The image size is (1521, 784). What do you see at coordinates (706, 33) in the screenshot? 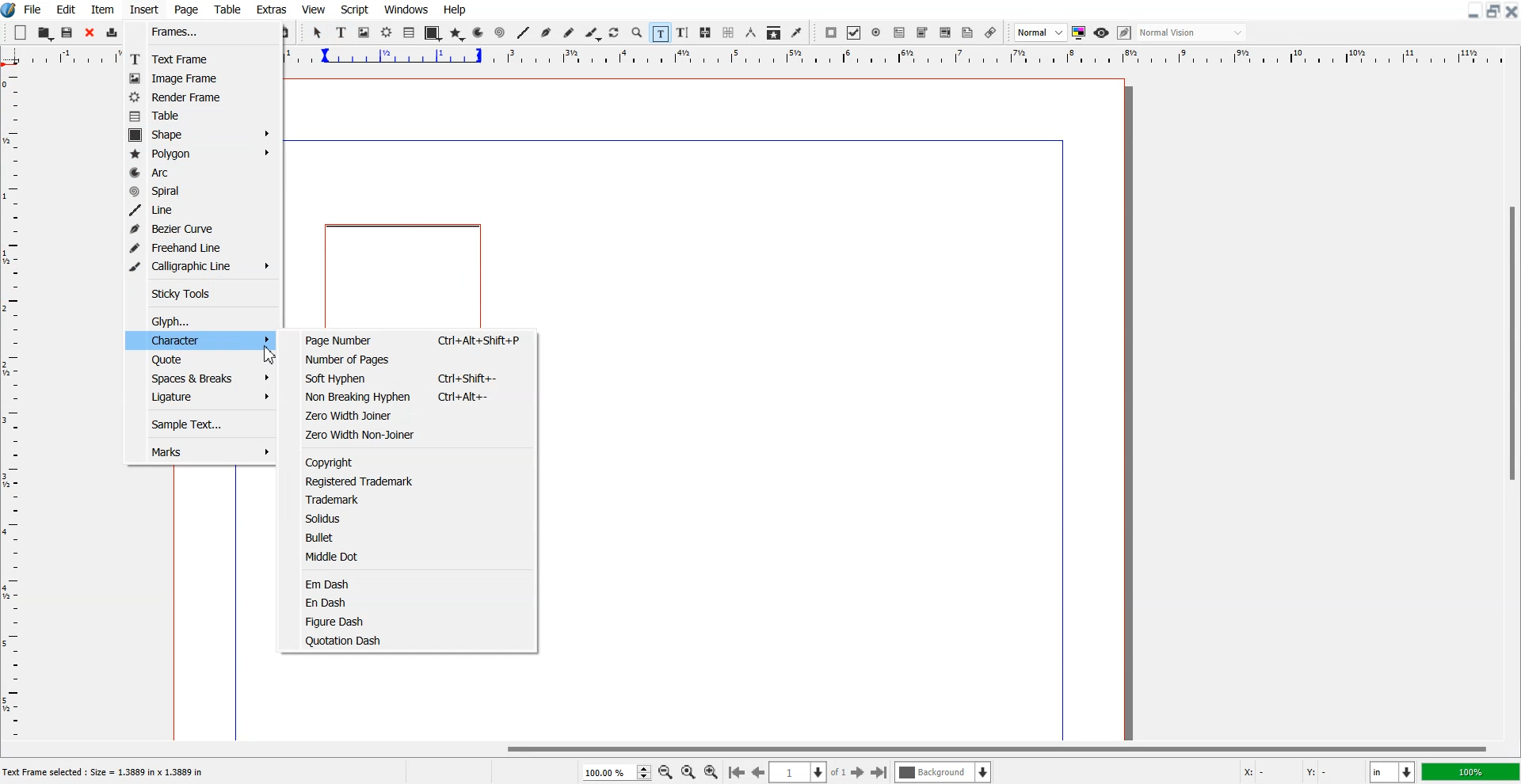
I see `Link text frame` at bounding box center [706, 33].